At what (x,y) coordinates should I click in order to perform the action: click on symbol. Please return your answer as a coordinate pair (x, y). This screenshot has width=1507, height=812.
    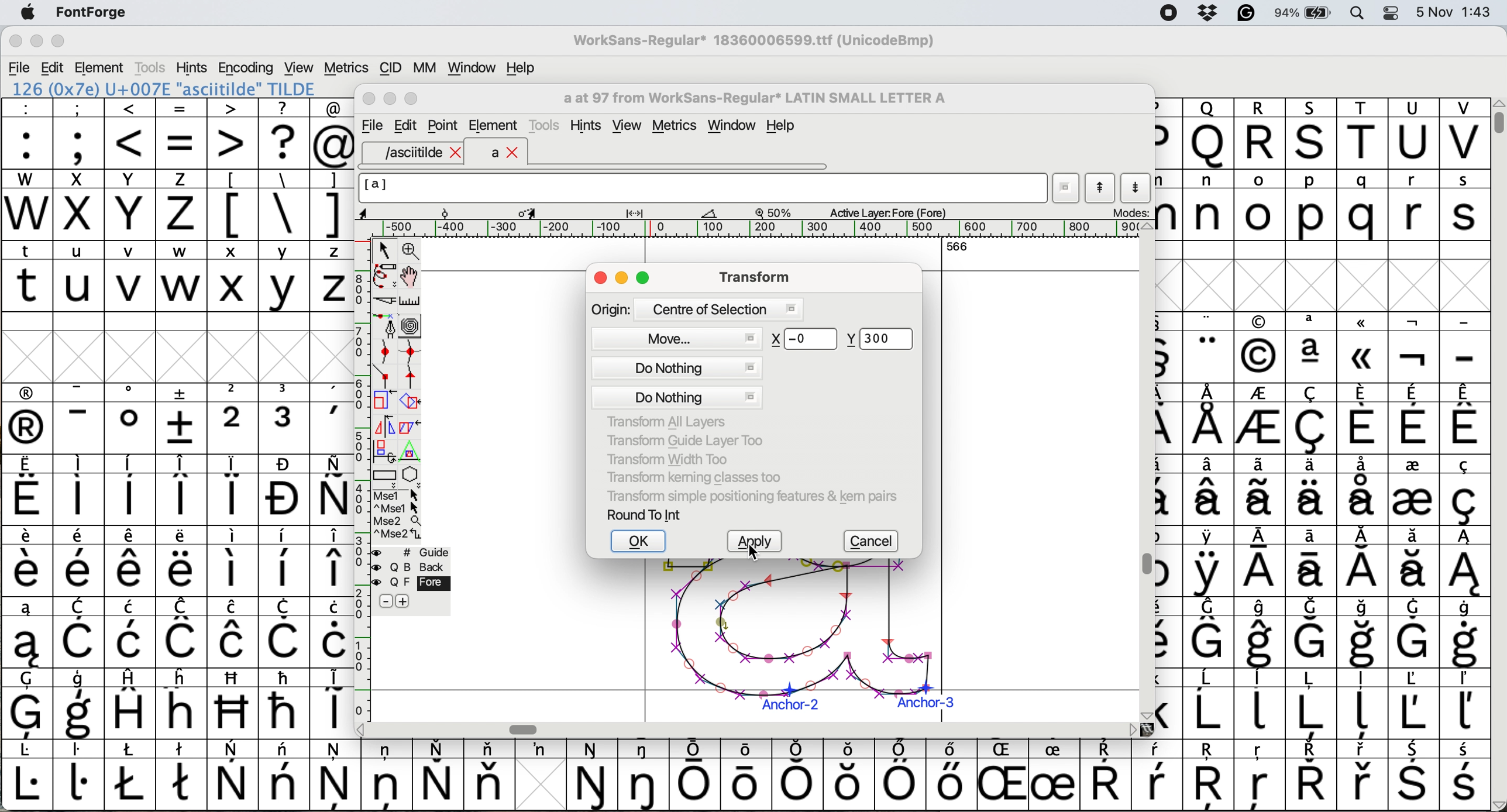
    Looking at the image, I should click on (1313, 419).